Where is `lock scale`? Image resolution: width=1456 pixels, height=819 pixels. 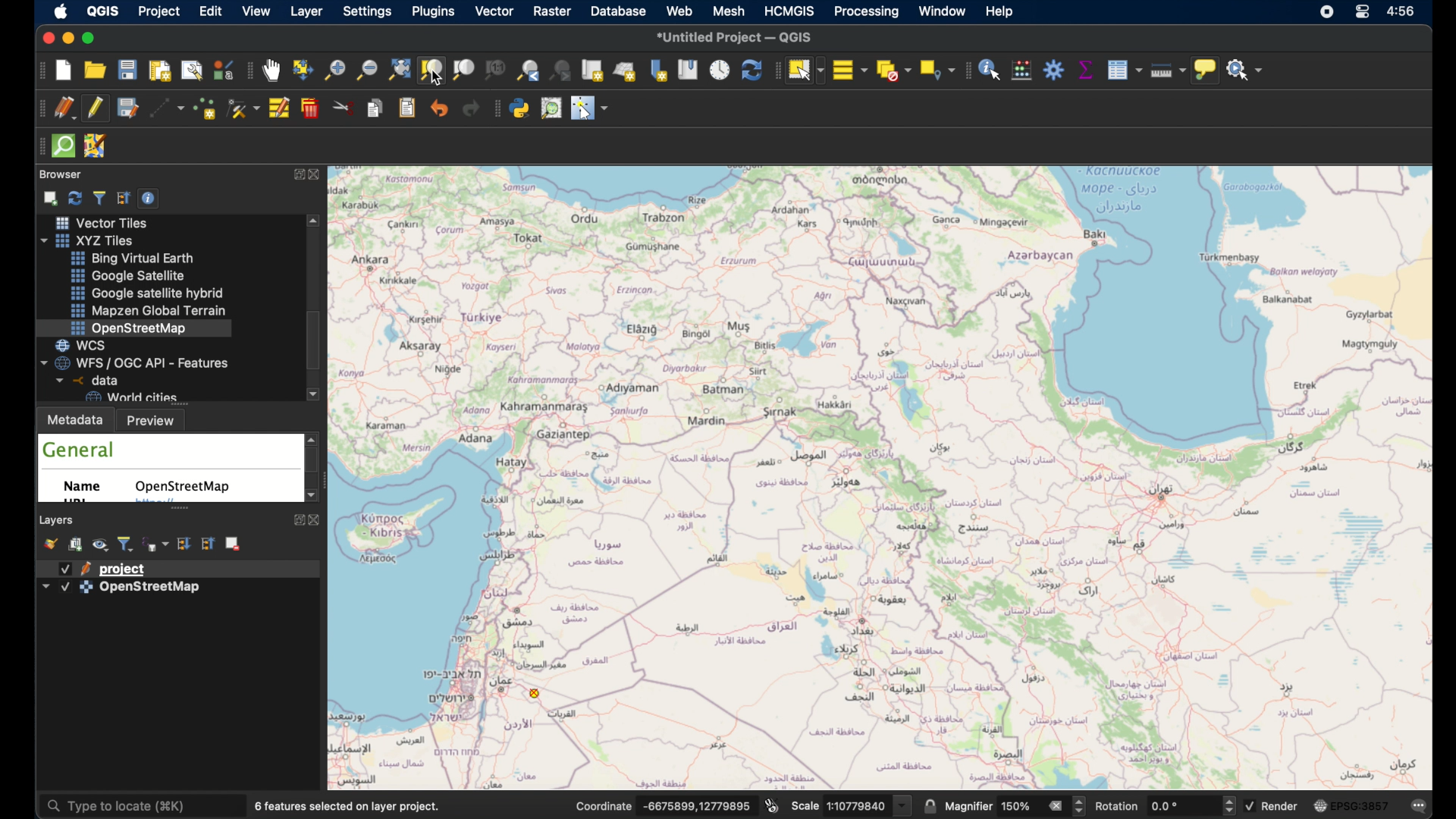
lock scale is located at coordinates (930, 805).